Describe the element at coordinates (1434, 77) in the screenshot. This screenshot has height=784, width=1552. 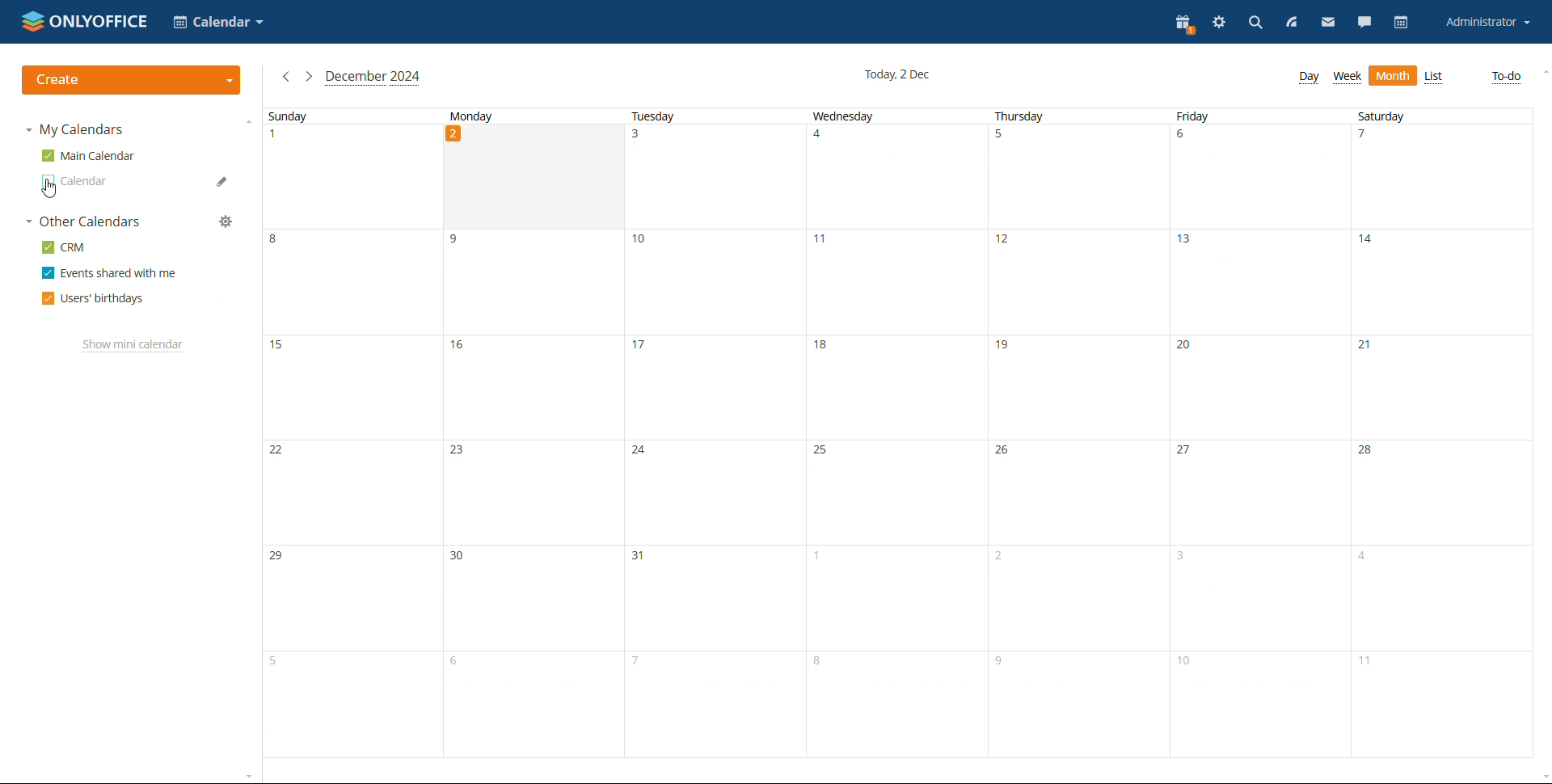
I see `list view` at that location.